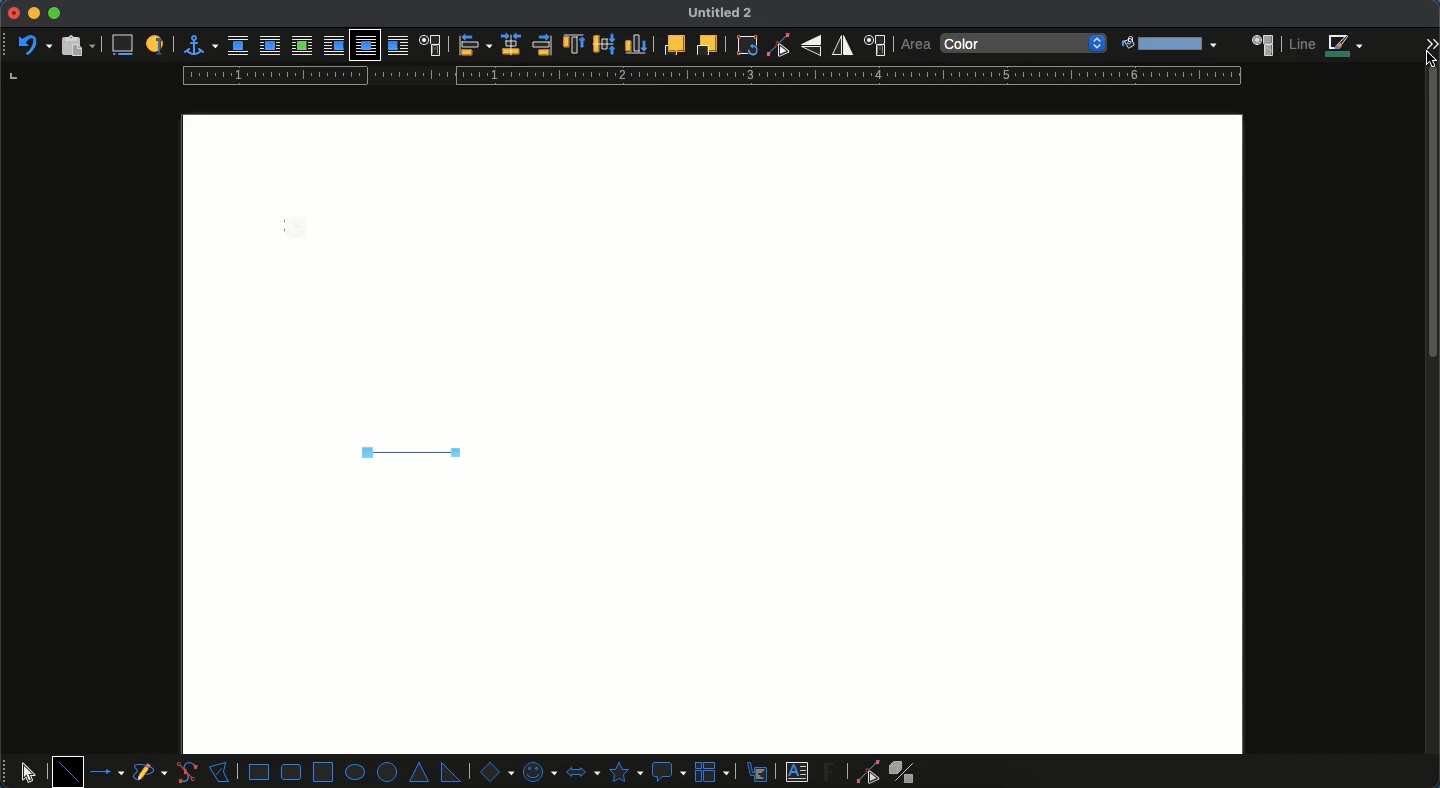 Image resolution: width=1440 pixels, height=788 pixels. I want to click on area, so click(1263, 43).